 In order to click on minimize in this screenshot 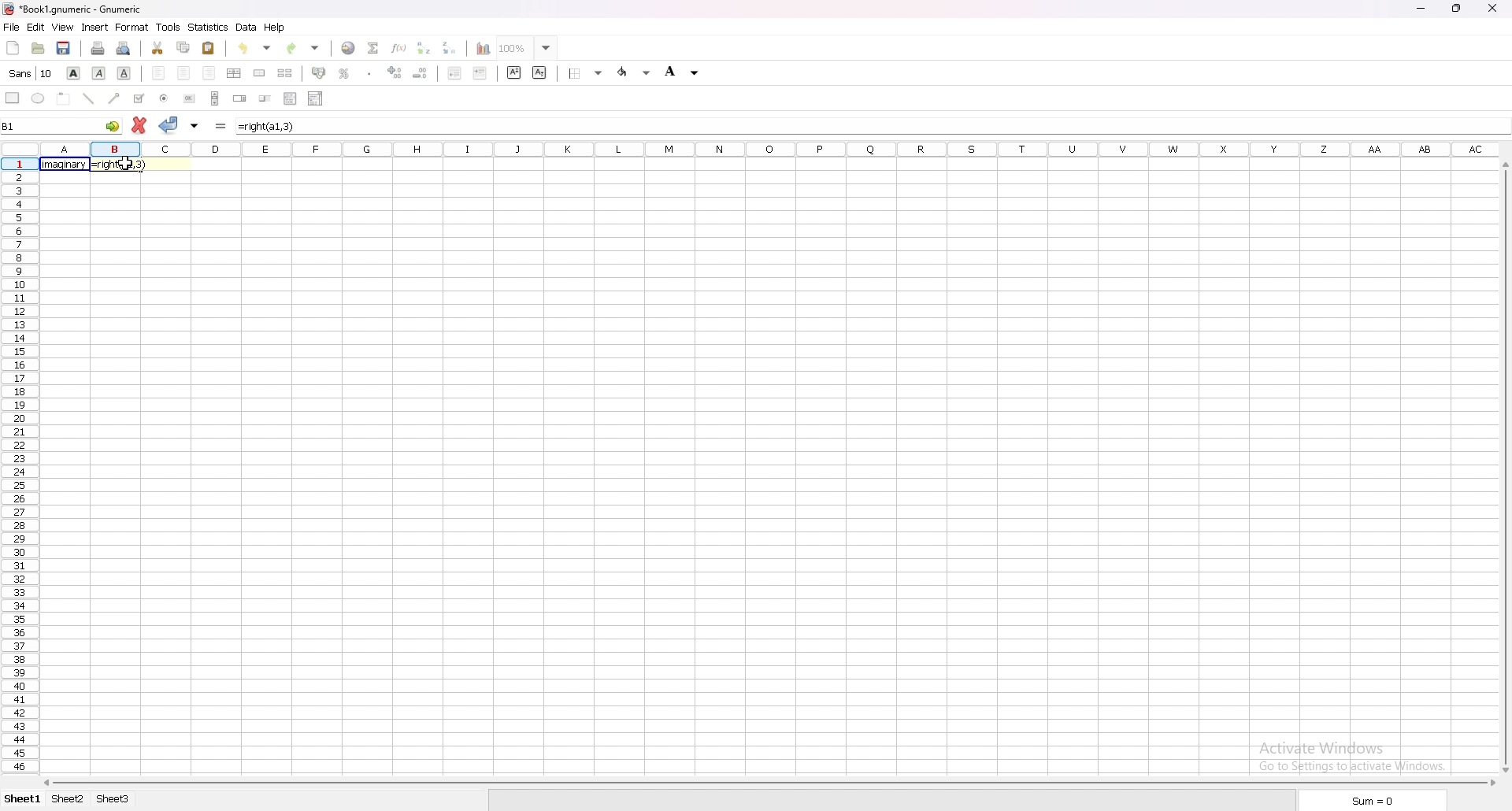, I will do `click(1421, 8)`.